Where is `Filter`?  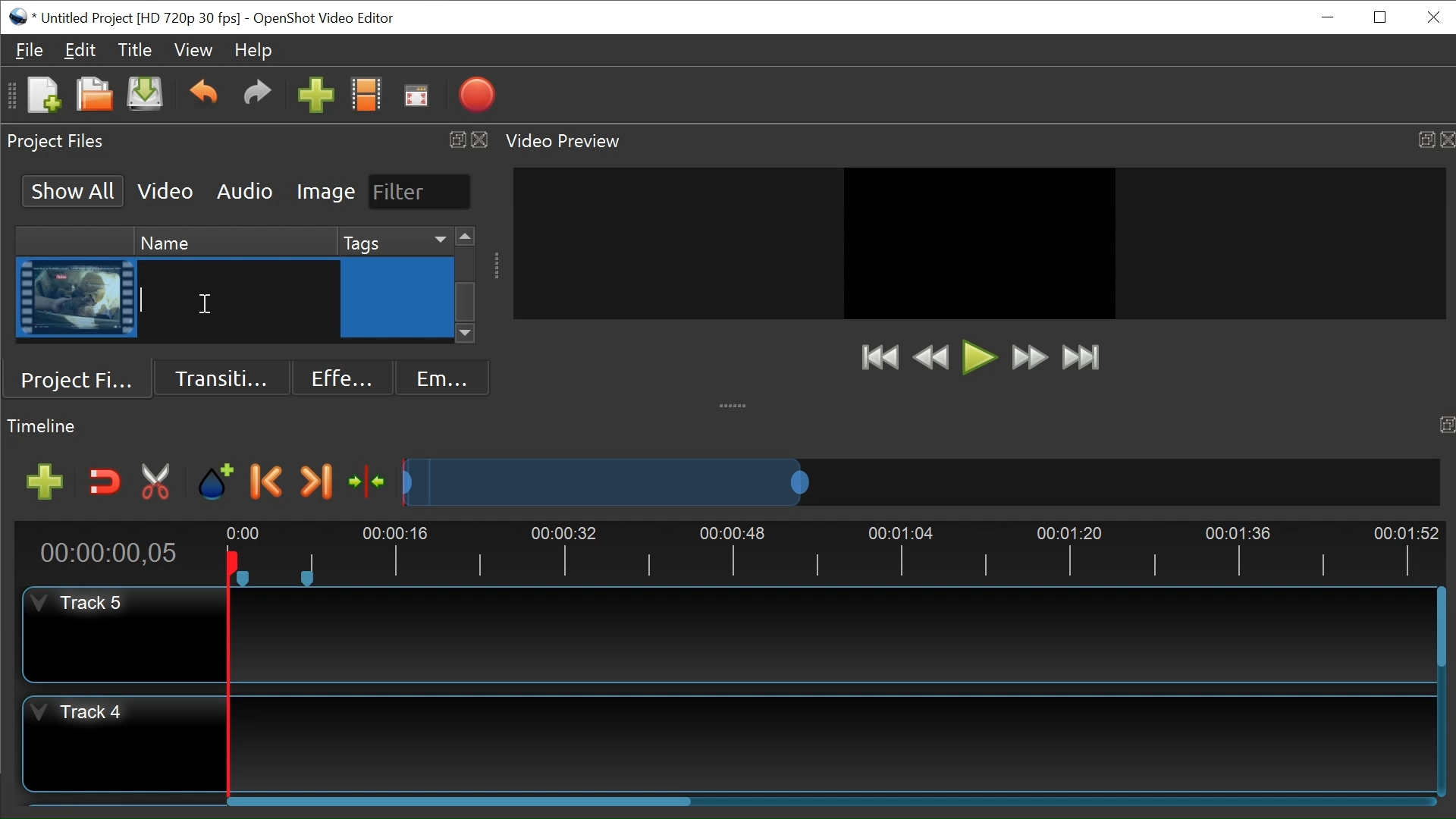
Filter is located at coordinates (418, 191).